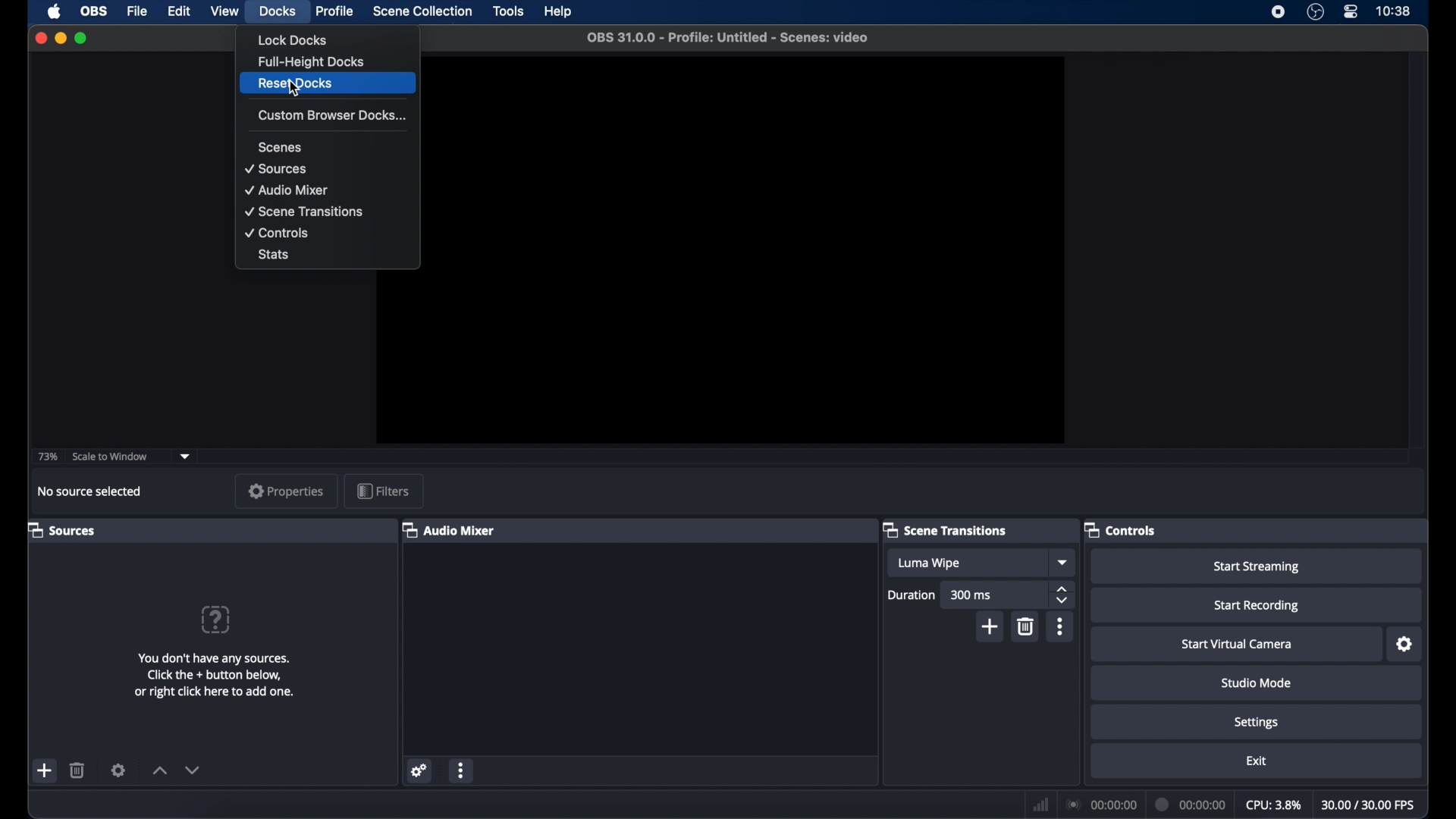  I want to click on start virtual camera, so click(1238, 645).